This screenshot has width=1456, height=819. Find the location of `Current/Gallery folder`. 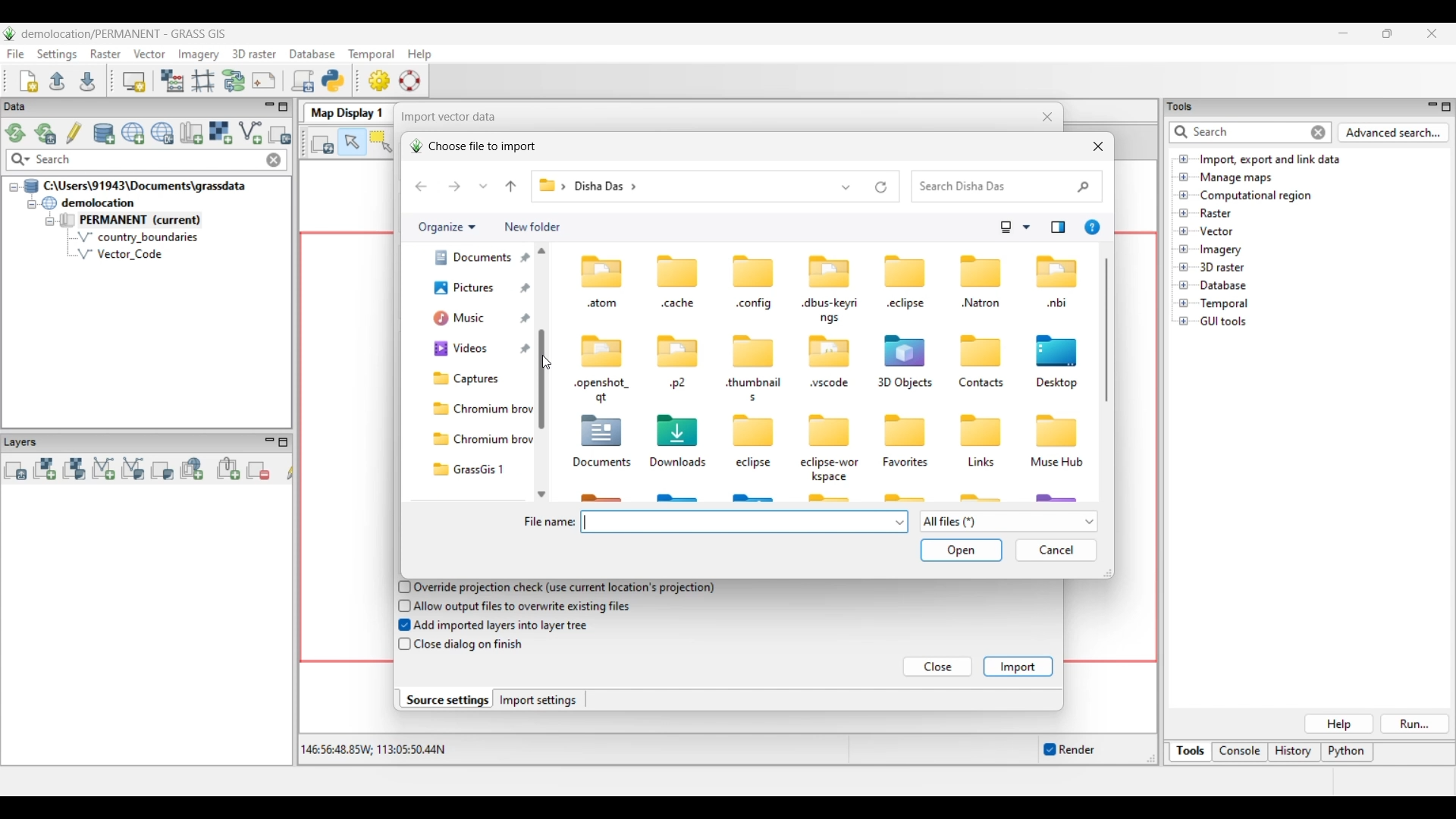

Current/Gallery folder is located at coordinates (469, 293).